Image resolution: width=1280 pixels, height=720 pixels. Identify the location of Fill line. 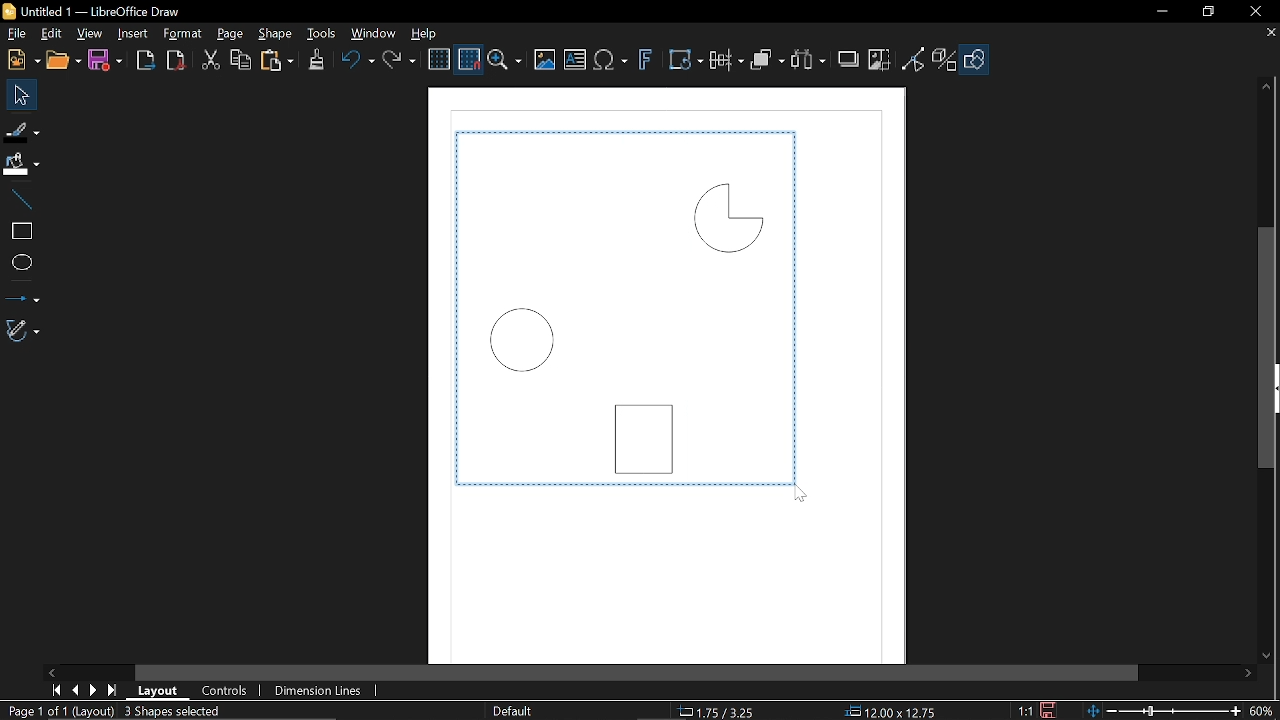
(22, 130).